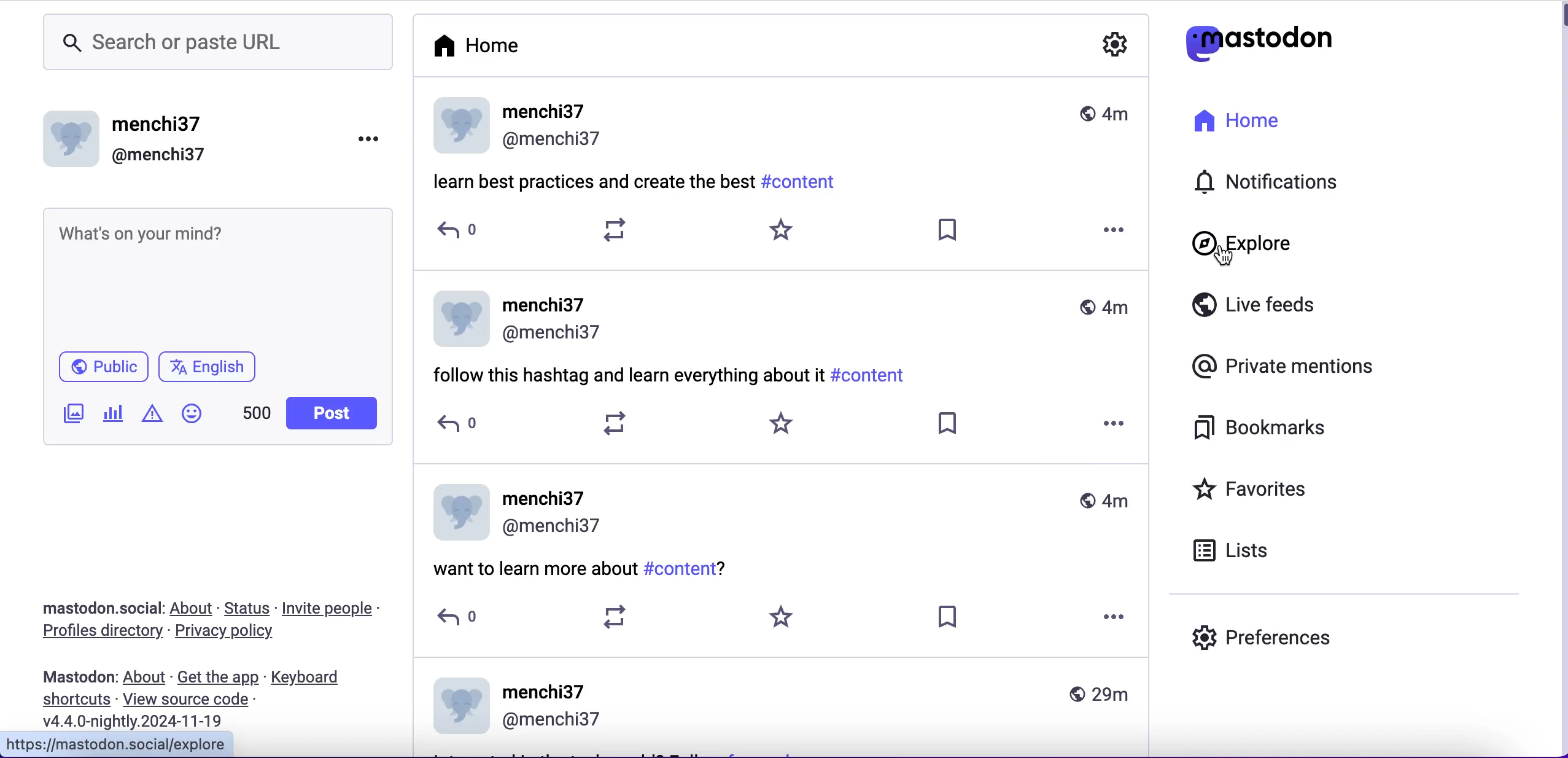  Describe the element at coordinates (616, 230) in the screenshot. I see `retweet` at that location.